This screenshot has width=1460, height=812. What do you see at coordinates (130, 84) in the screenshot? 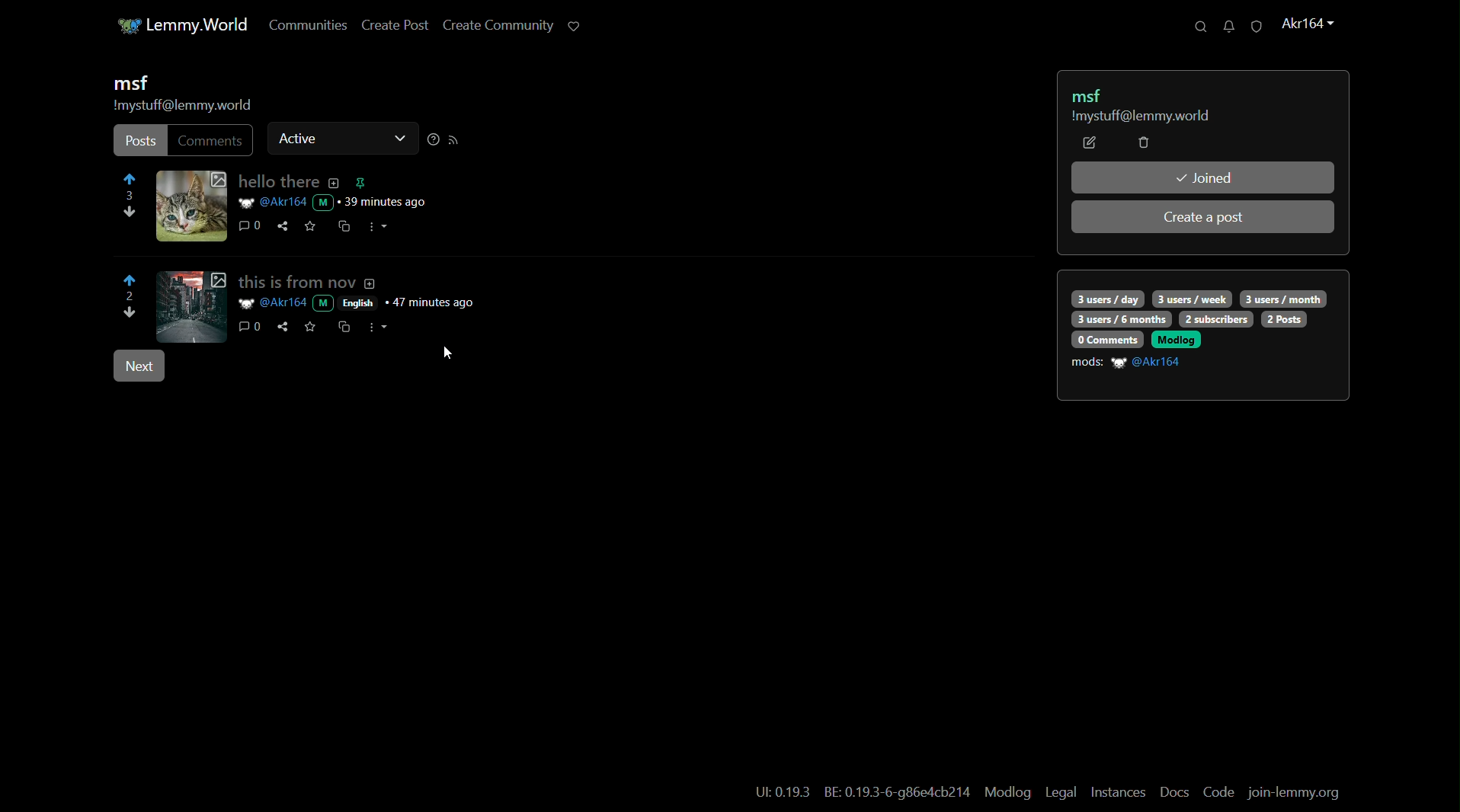
I see `community name` at bounding box center [130, 84].